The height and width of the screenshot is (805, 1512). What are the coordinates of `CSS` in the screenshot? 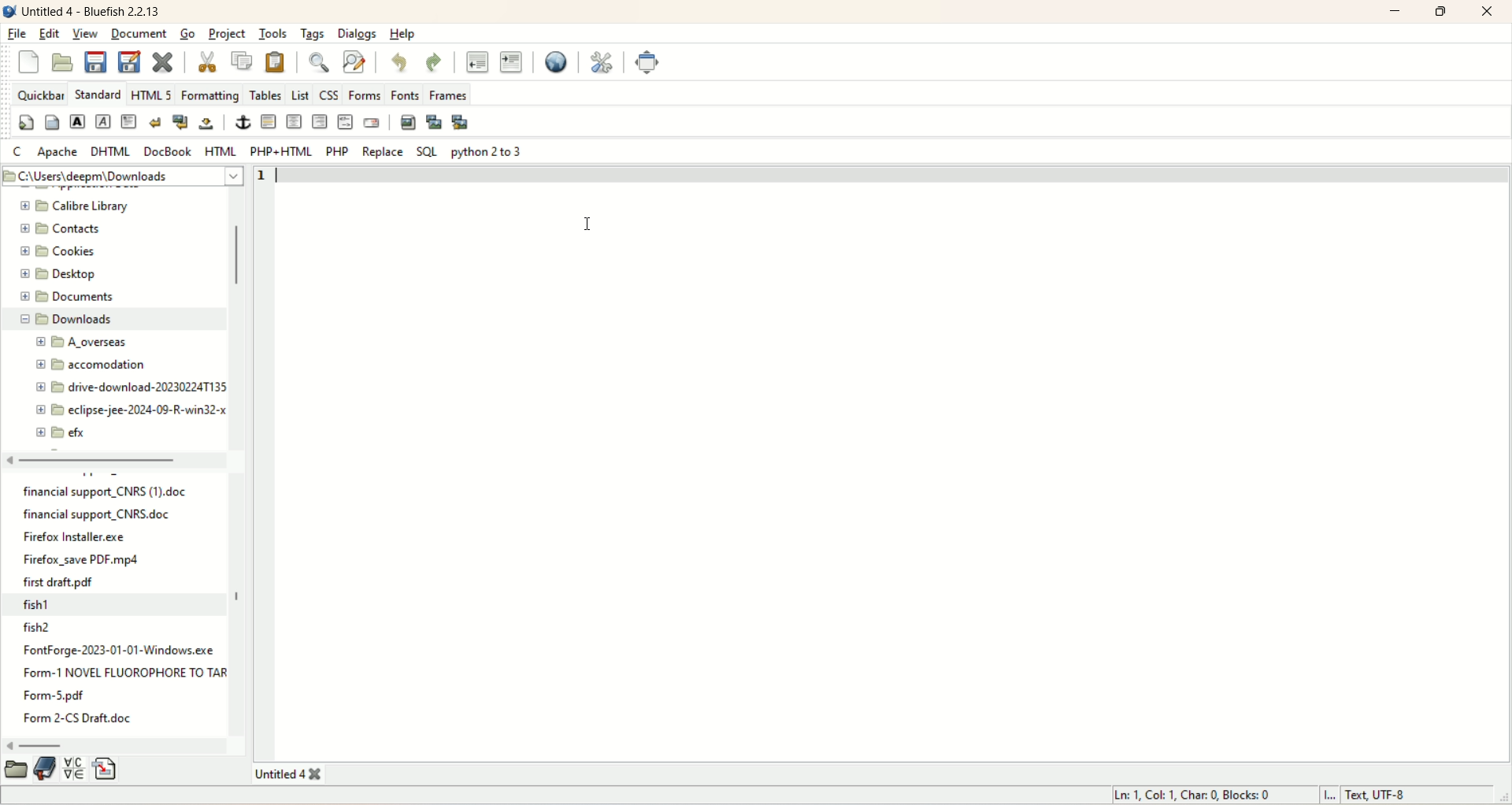 It's located at (329, 94).